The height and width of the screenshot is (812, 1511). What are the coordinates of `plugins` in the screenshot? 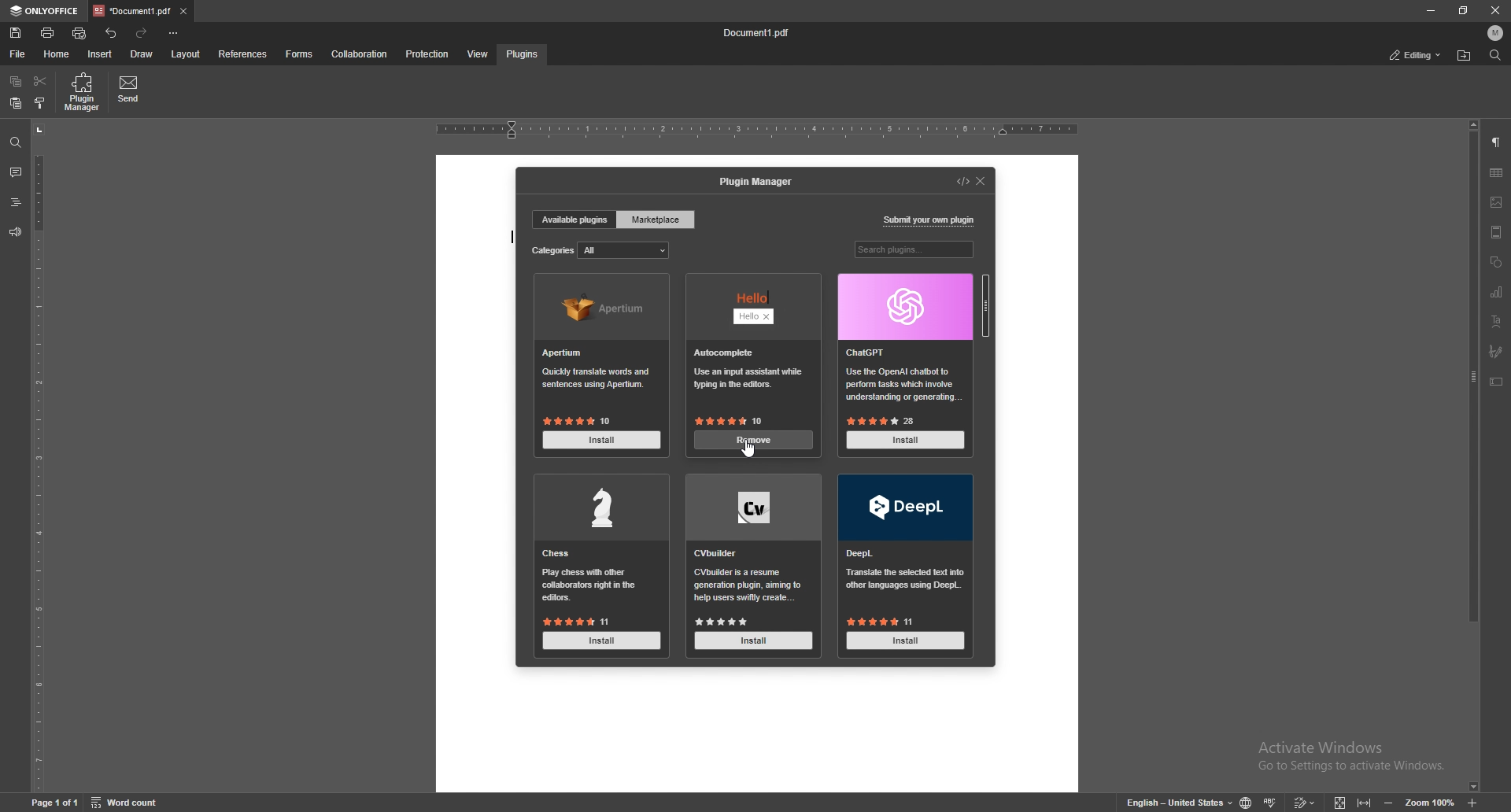 It's located at (523, 54).